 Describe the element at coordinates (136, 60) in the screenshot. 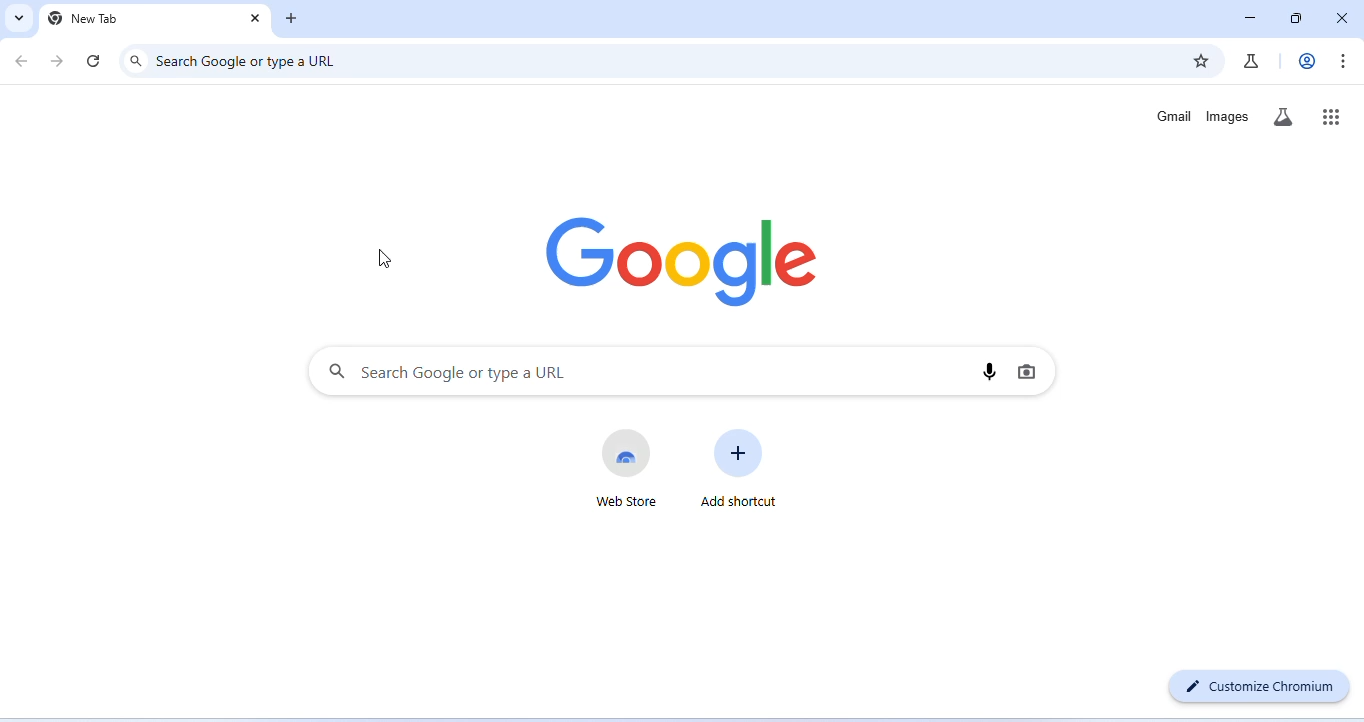

I see `search icon` at that location.